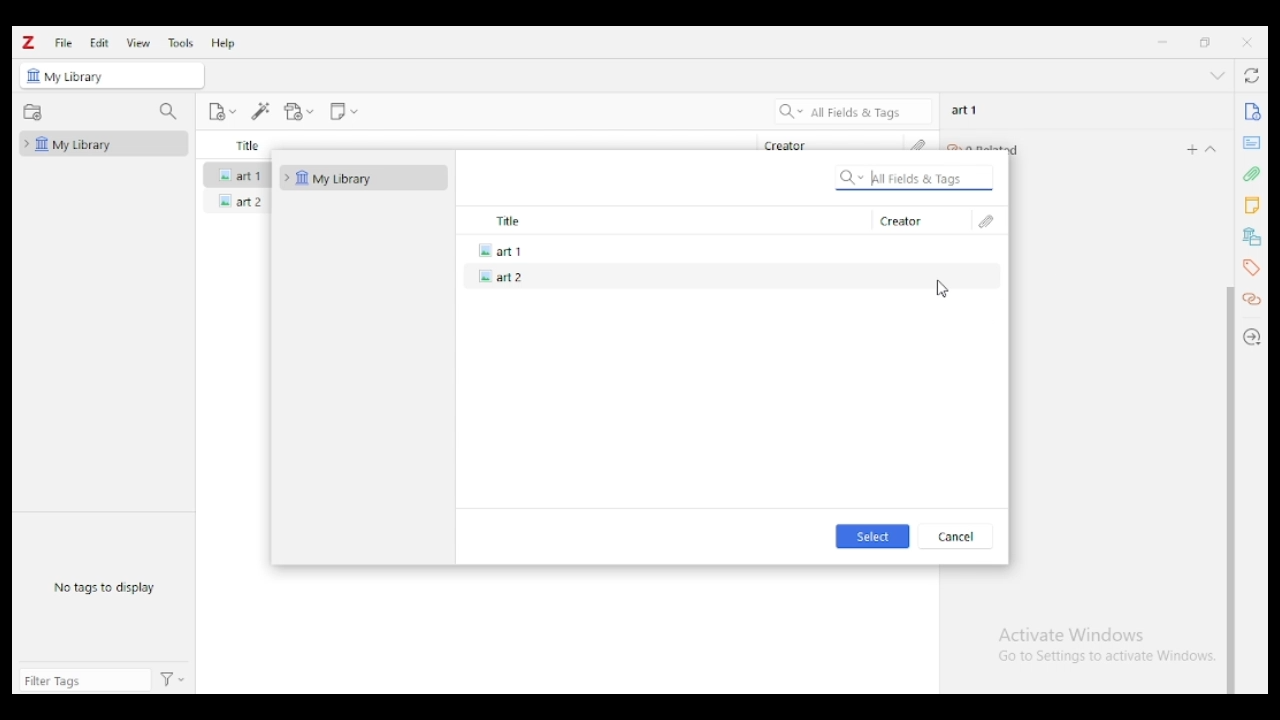 The width and height of the screenshot is (1280, 720). I want to click on close, so click(1247, 42).